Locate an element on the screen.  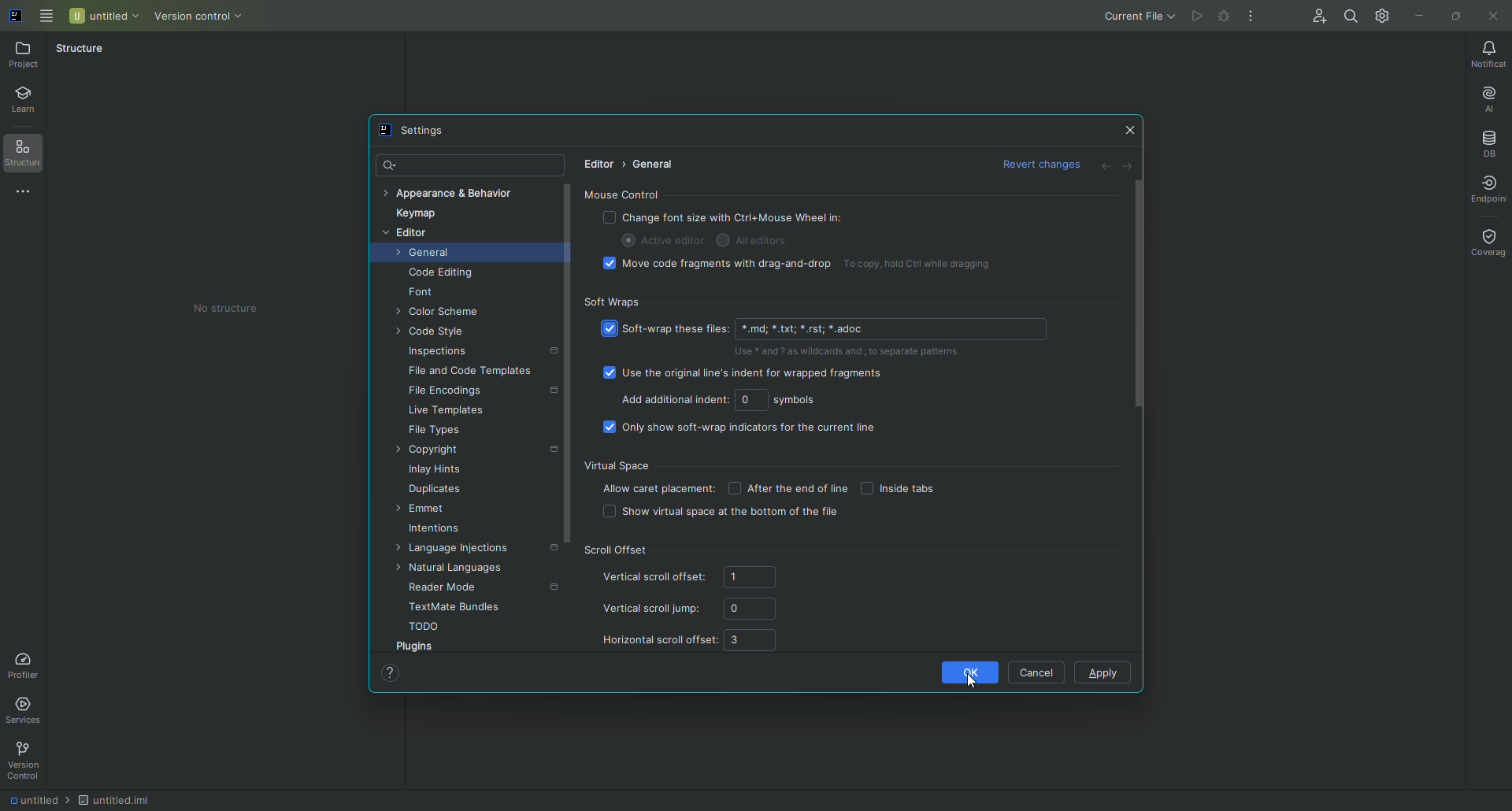
Close is located at coordinates (1493, 17).